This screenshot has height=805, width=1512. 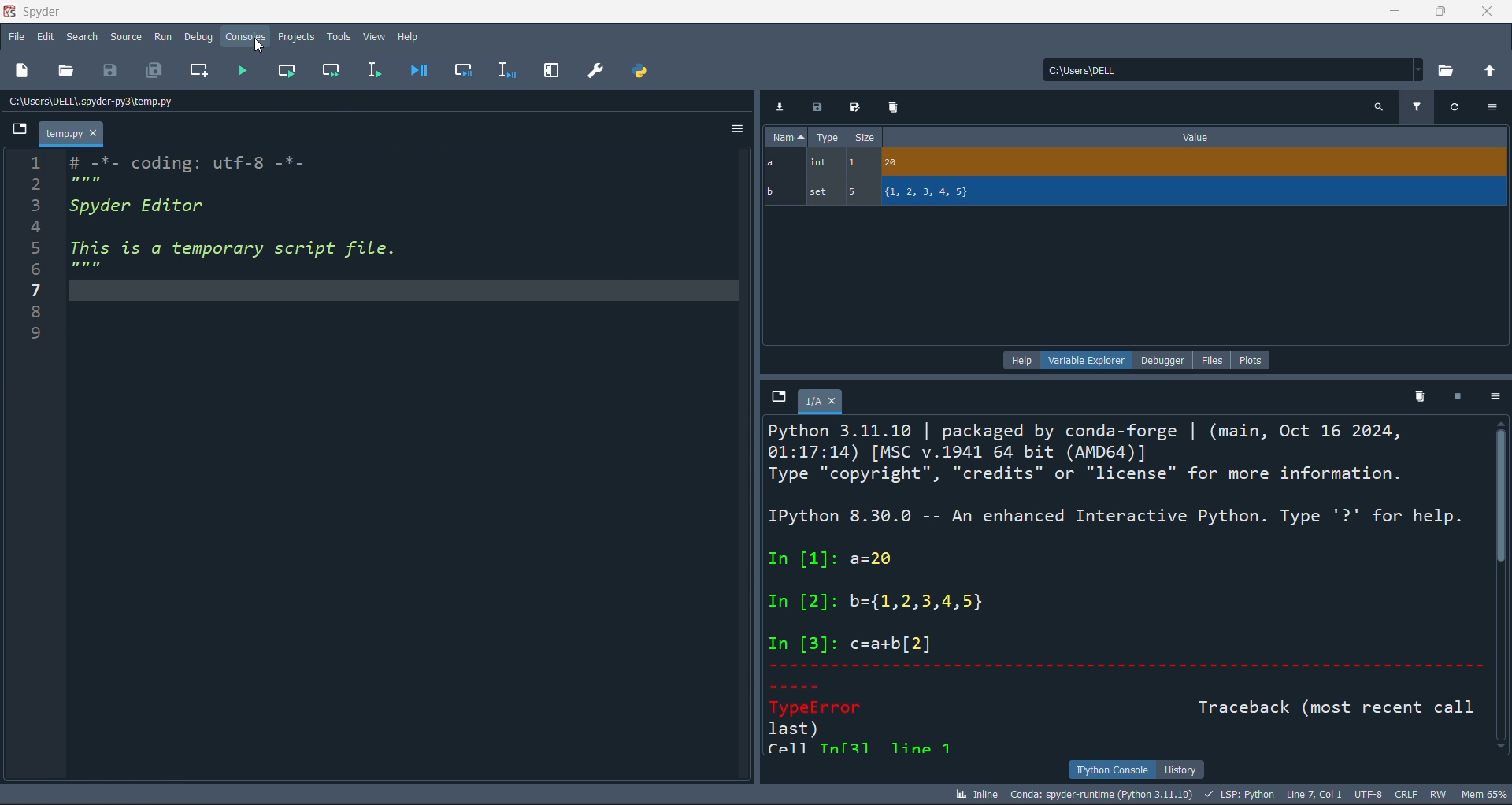 What do you see at coordinates (71, 132) in the screenshot?
I see `temp.py` at bounding box center [71, 132].